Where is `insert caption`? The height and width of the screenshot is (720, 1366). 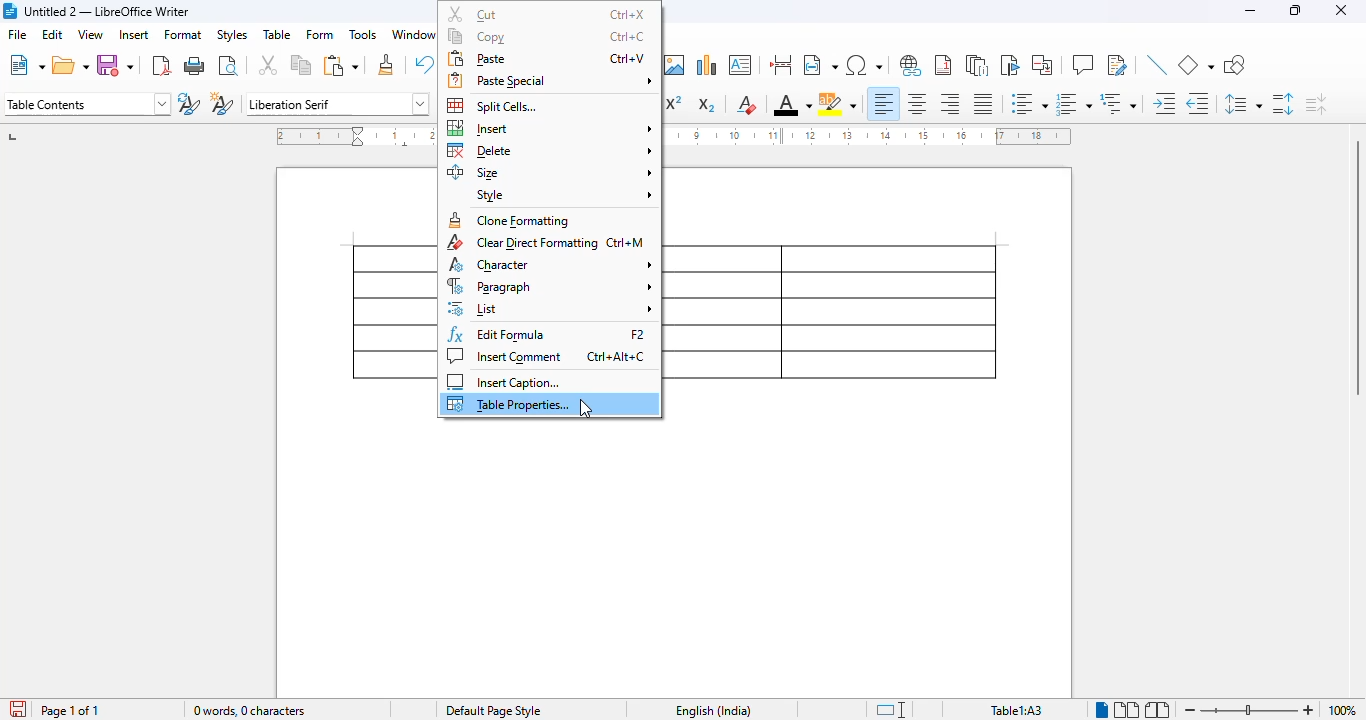
insert caption is located at coordinates (505, 382).